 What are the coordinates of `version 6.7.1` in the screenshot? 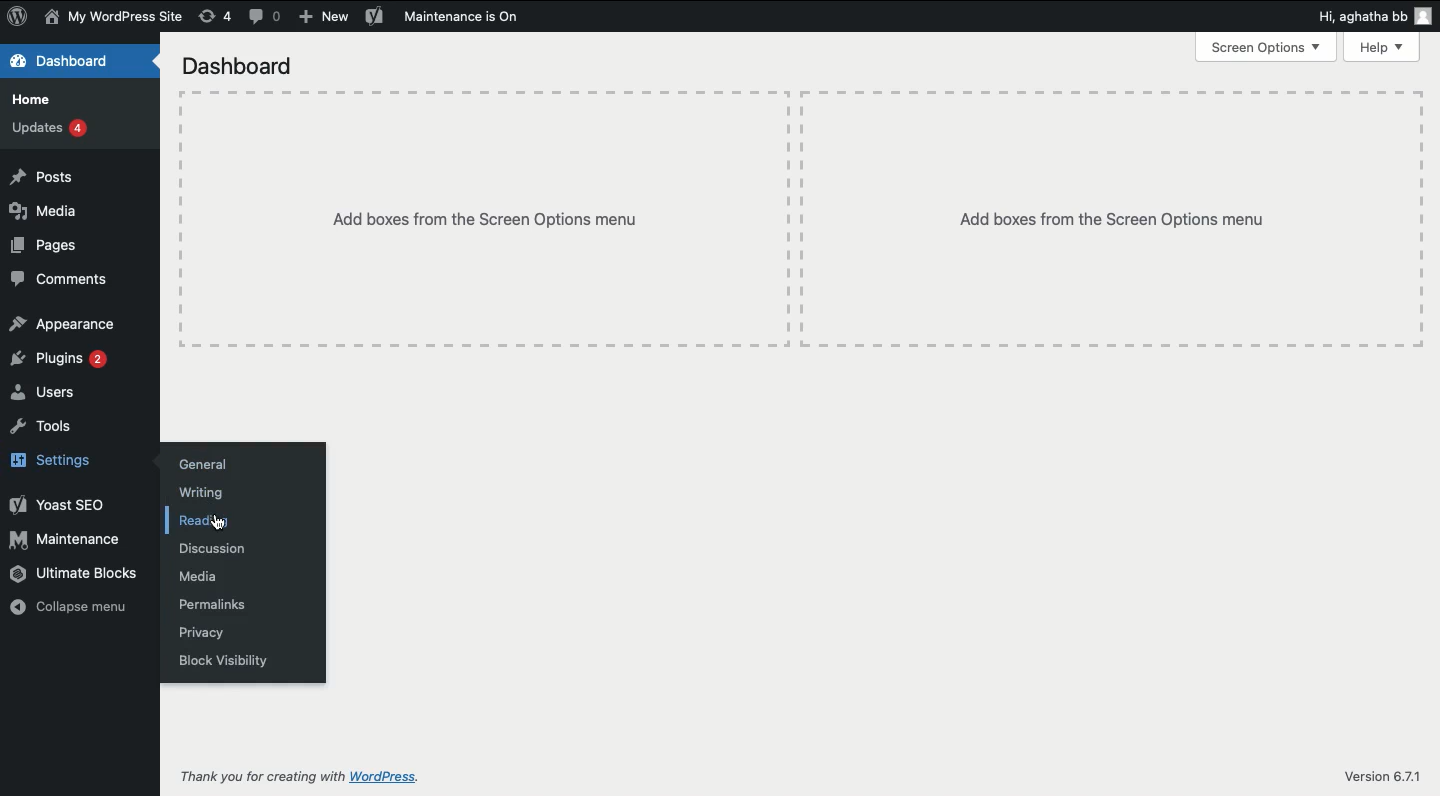 It's located at (1386, 777).